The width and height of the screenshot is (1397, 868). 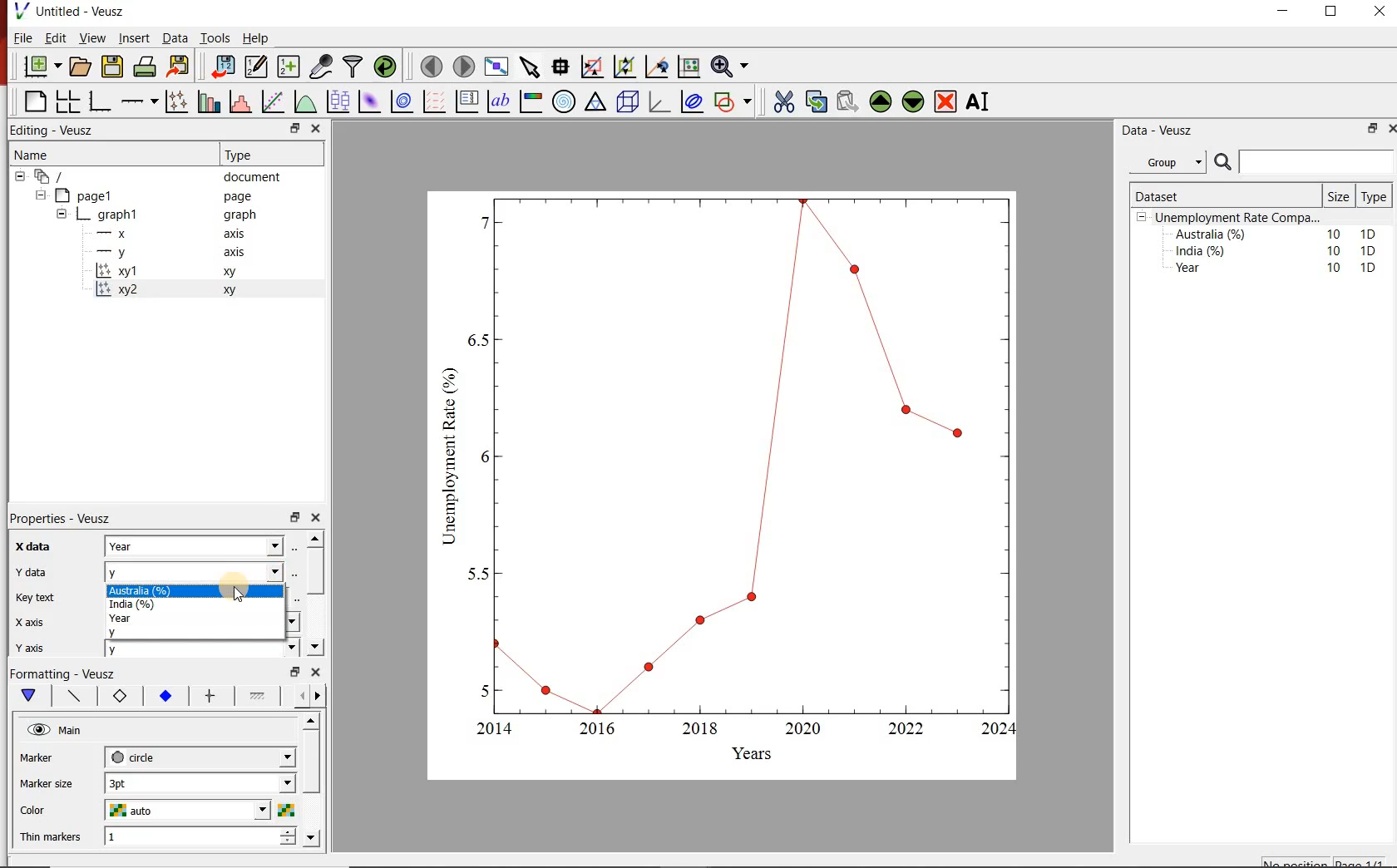 I want to click on hide/unhide, so click(x=38, y=729).